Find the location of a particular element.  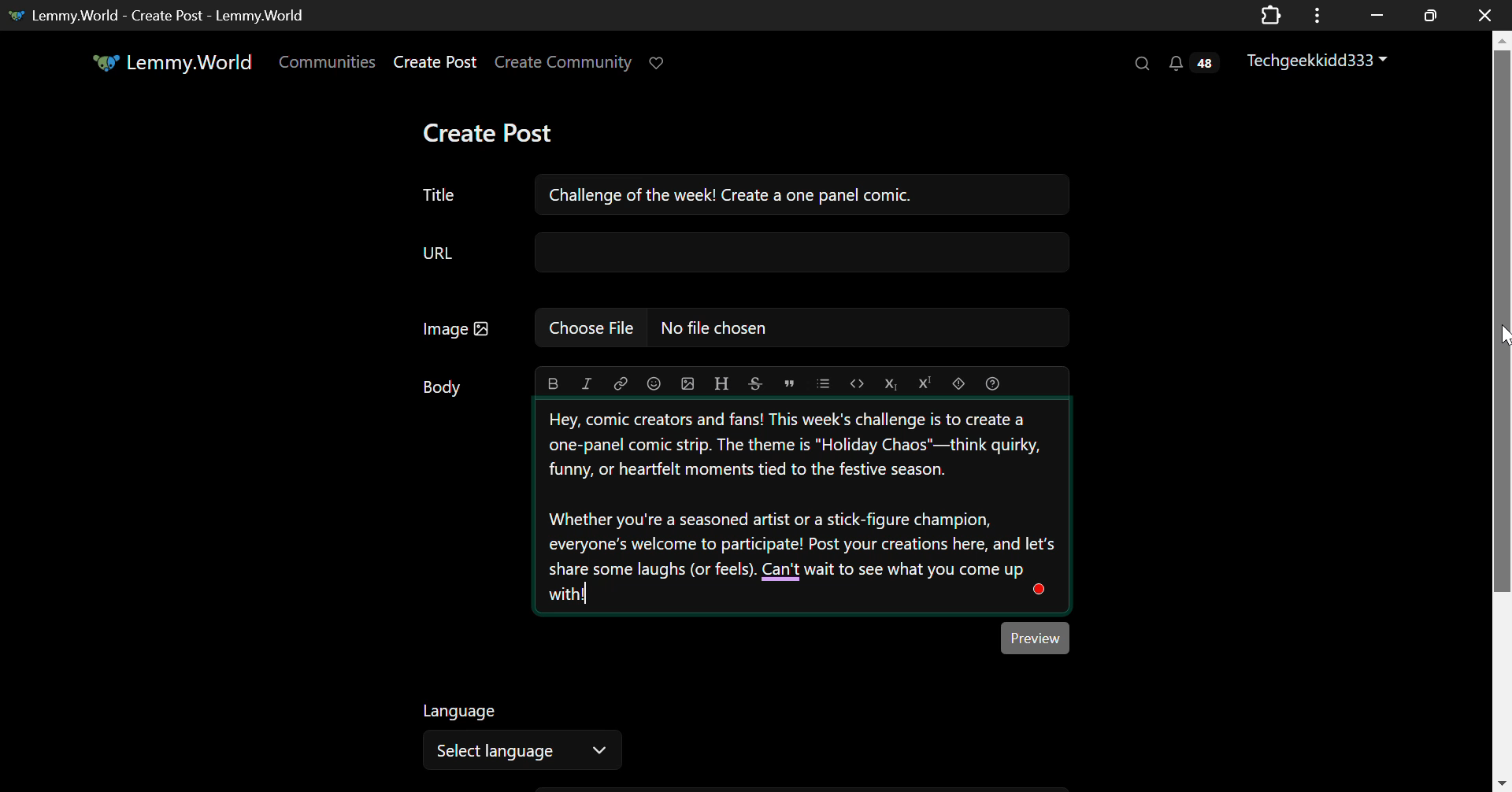

Lemmy.World is located at coordinates (172, 65).